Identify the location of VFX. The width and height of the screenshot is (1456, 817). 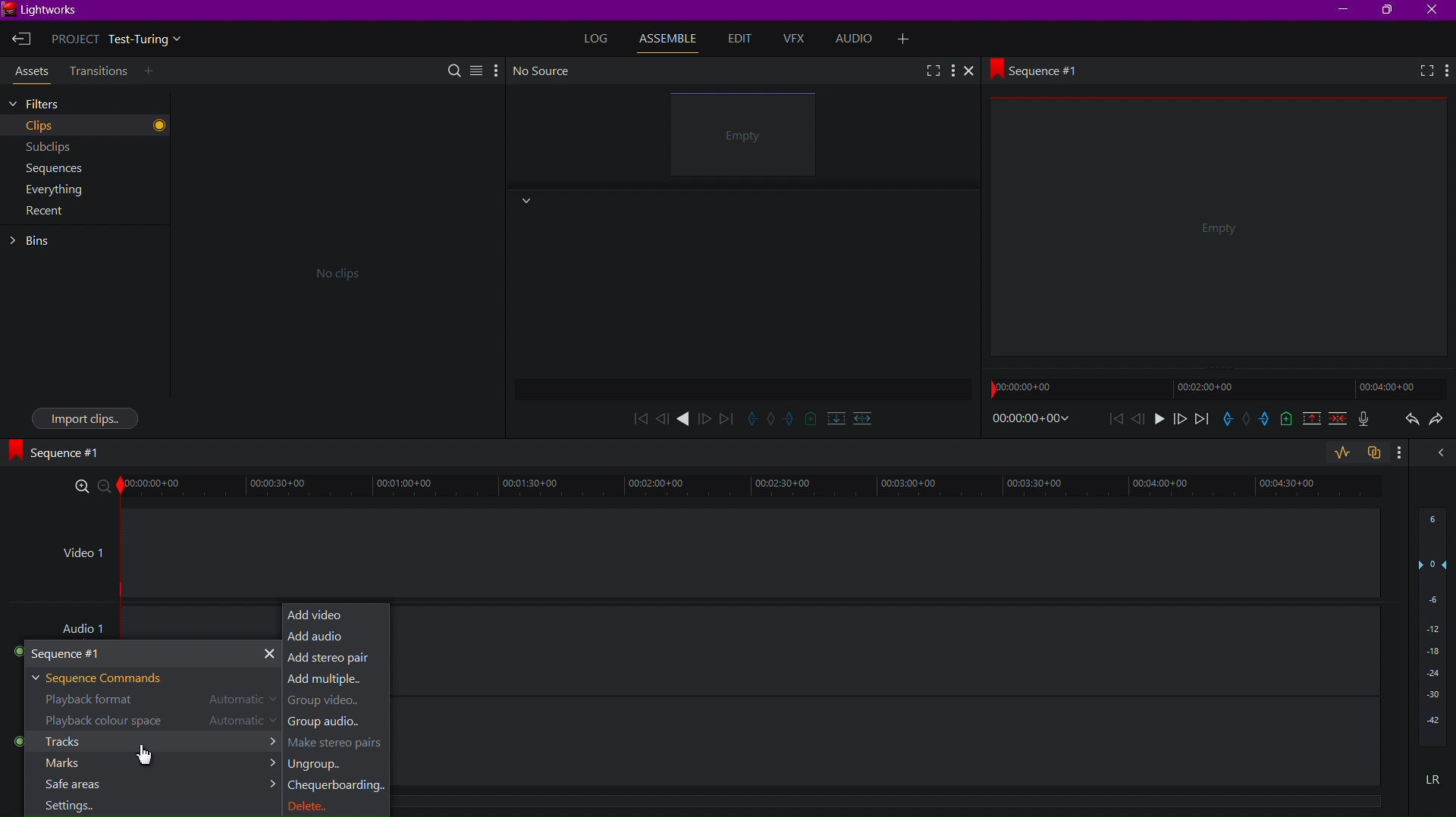
(798, 39).